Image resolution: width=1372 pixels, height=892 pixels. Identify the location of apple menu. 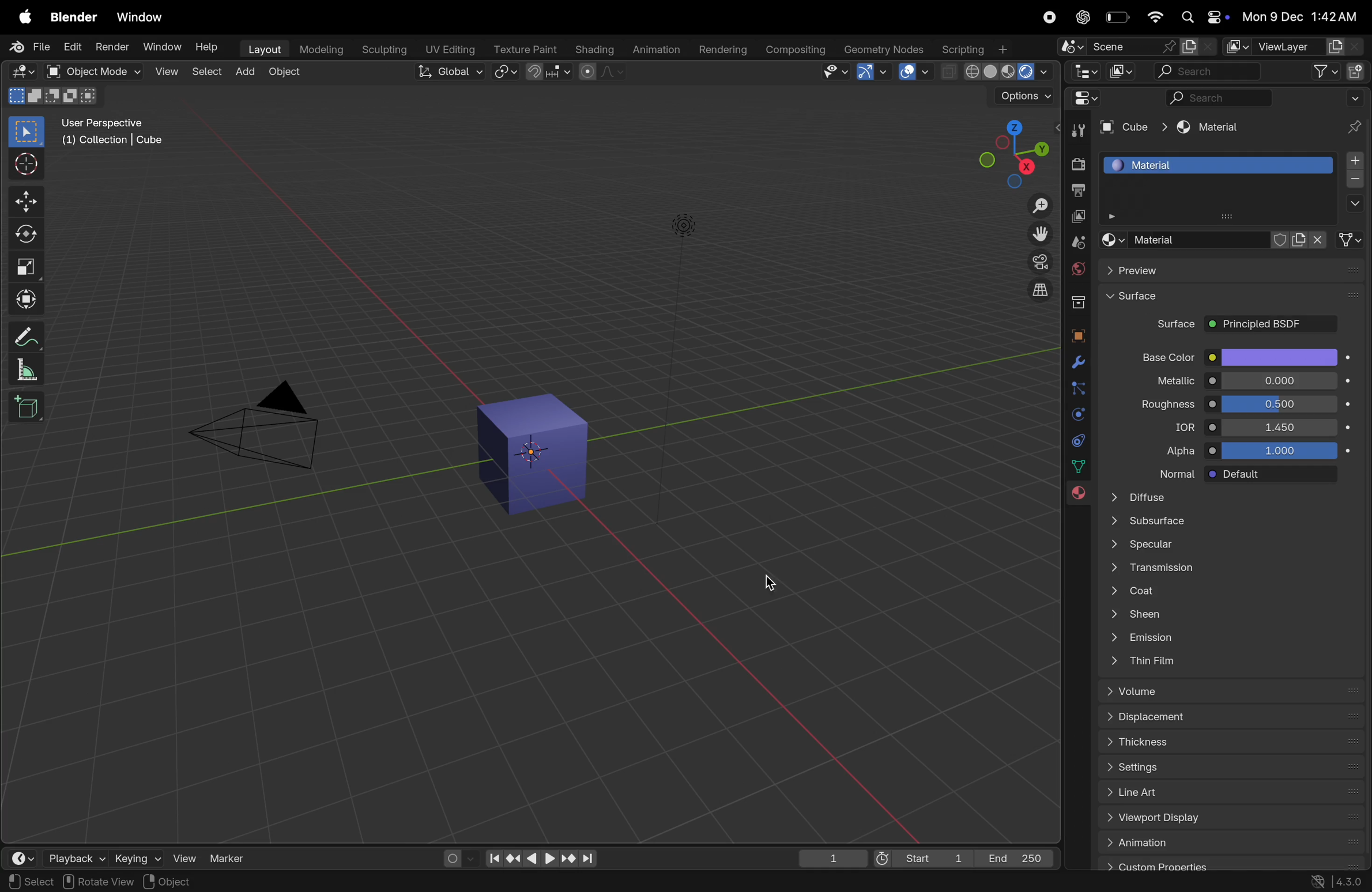
(22, 16).